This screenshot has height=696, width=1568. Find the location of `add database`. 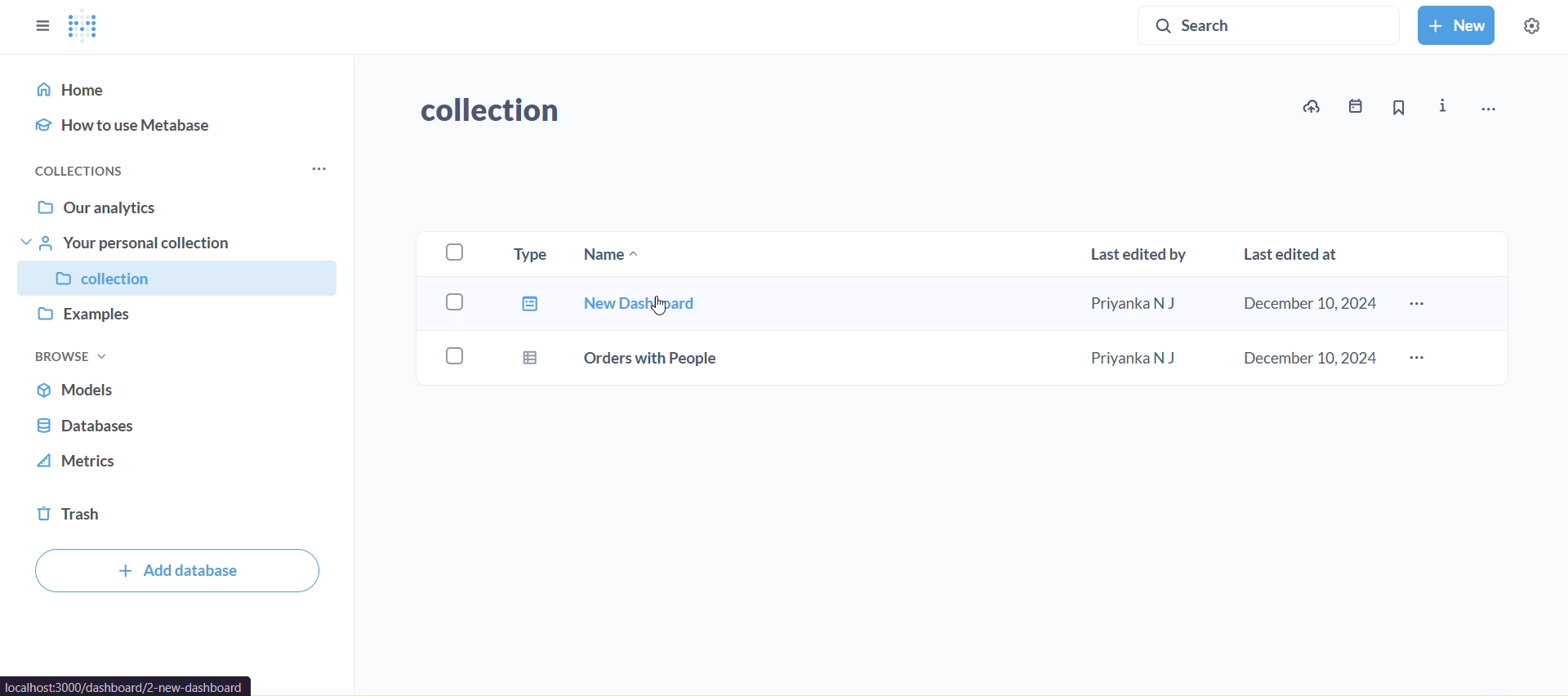

add database is located at coordinates (173, 571).